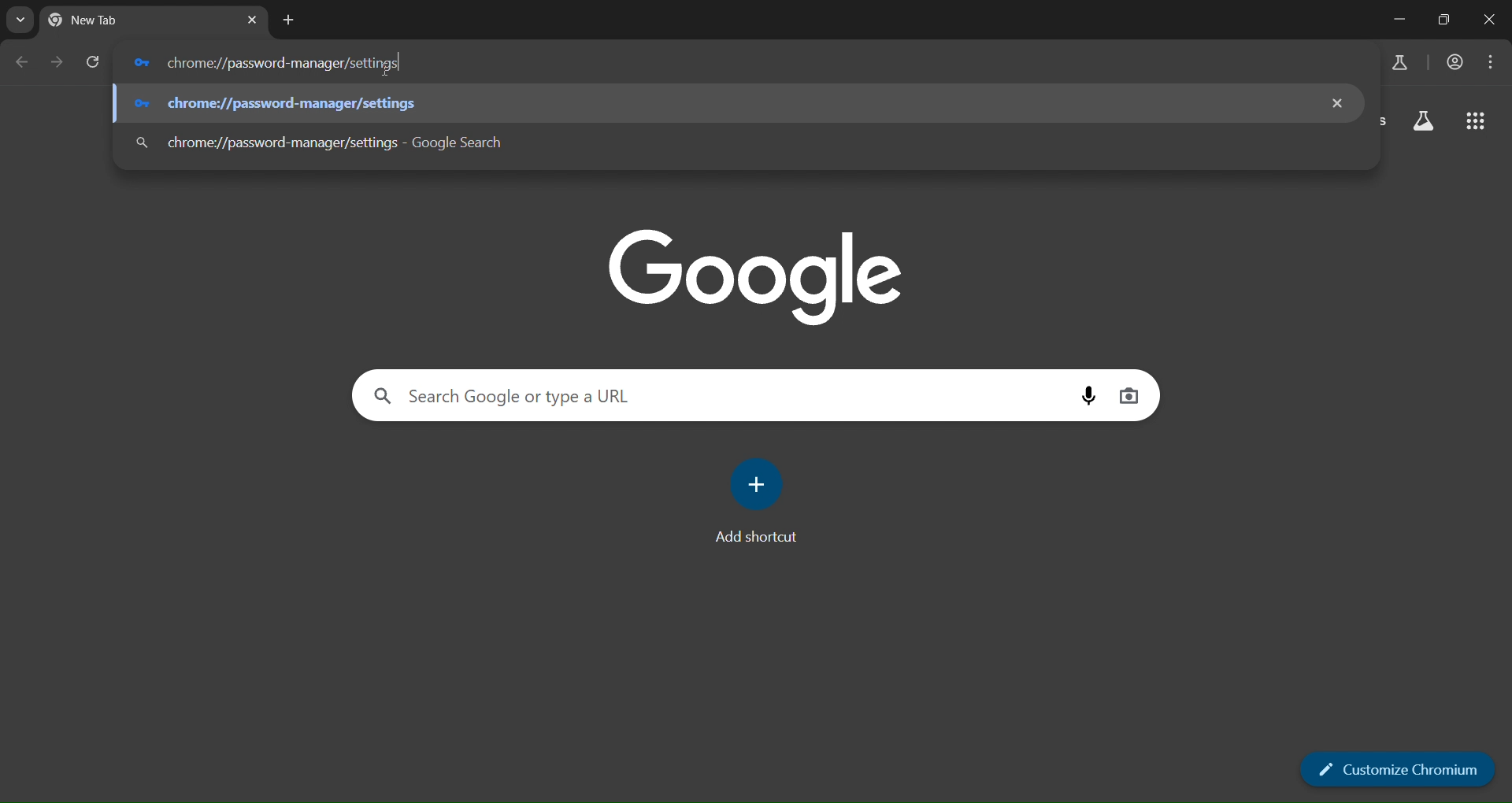 The image size is (1512, 803). What do you see at coordinates (251, 19) in the screenshot?
I see `close tab` at bounding box center [251, 19].